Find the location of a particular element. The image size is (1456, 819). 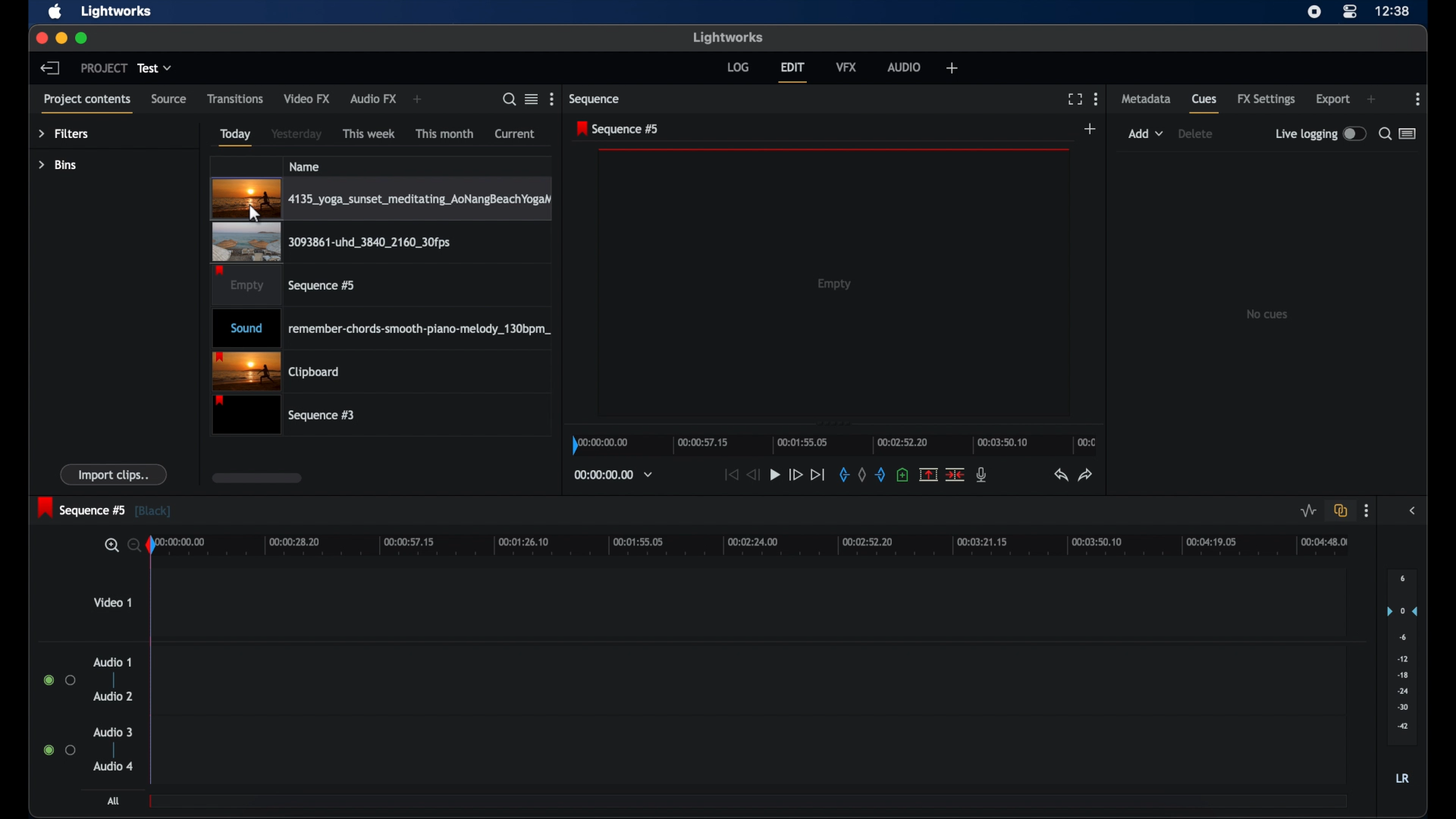

sequence 3 is located at coordinates (288, 416).